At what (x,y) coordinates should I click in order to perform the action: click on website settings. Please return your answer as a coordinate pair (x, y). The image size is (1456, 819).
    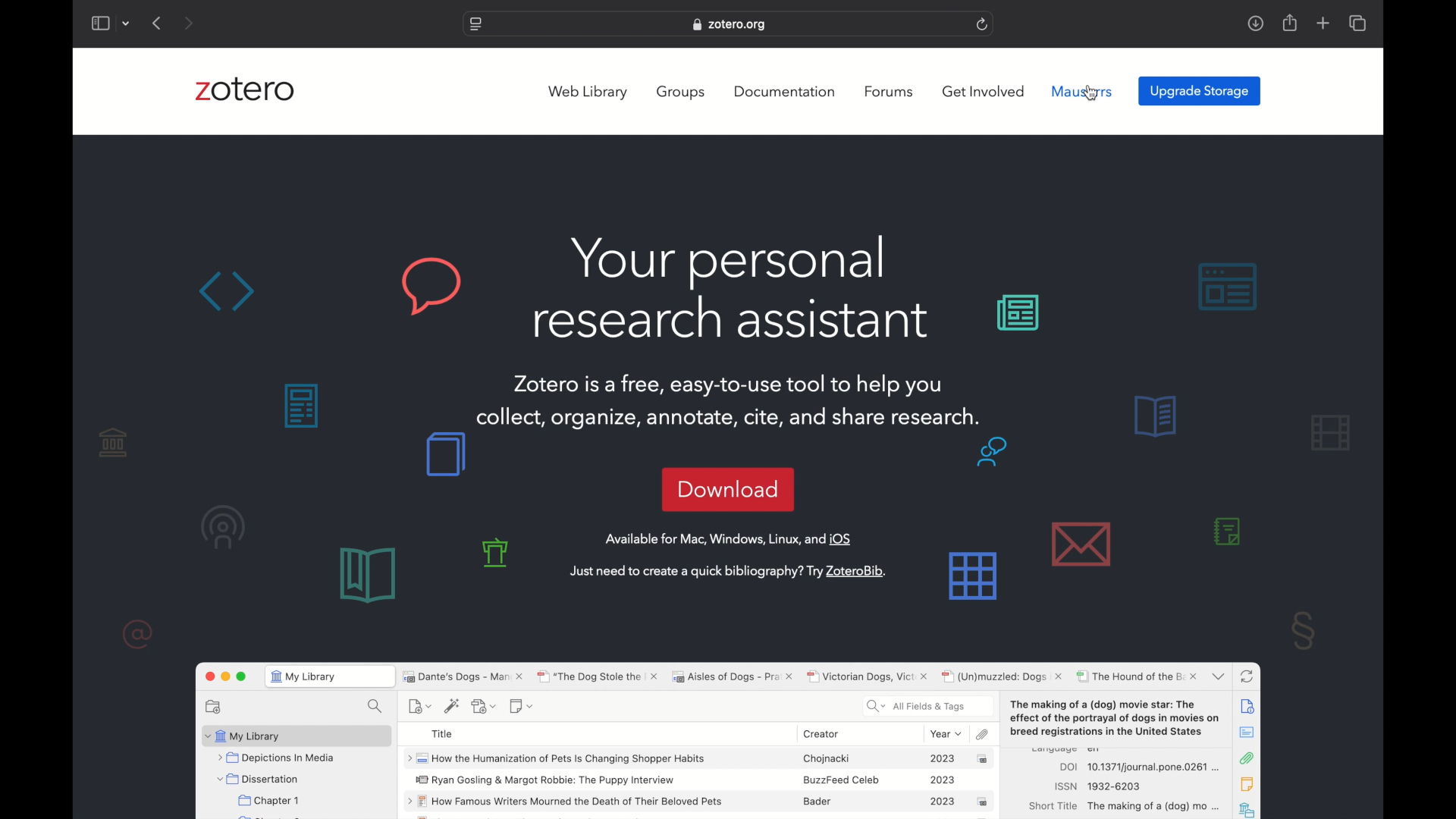
    Looking at the image, I should click on (475, 24).